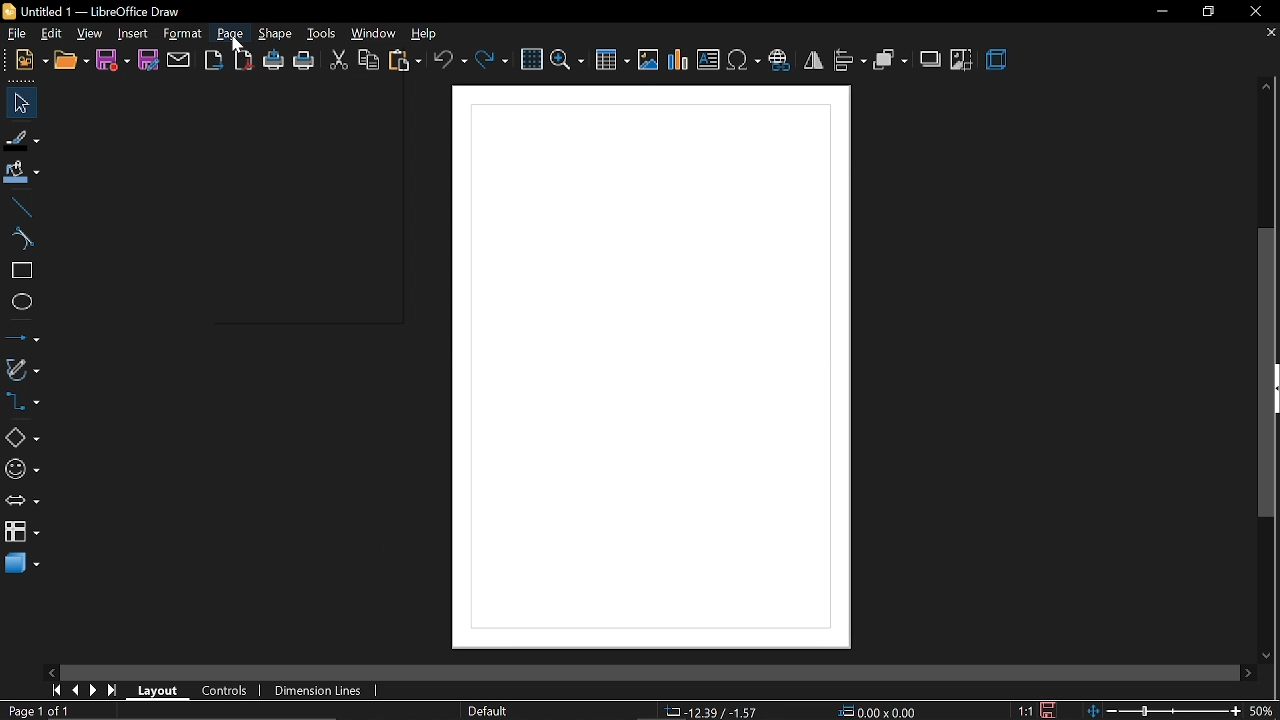  What do you see at coordinates (930, 60) in the screenshot?
I see `shadow` at bounding box center [930, 60].